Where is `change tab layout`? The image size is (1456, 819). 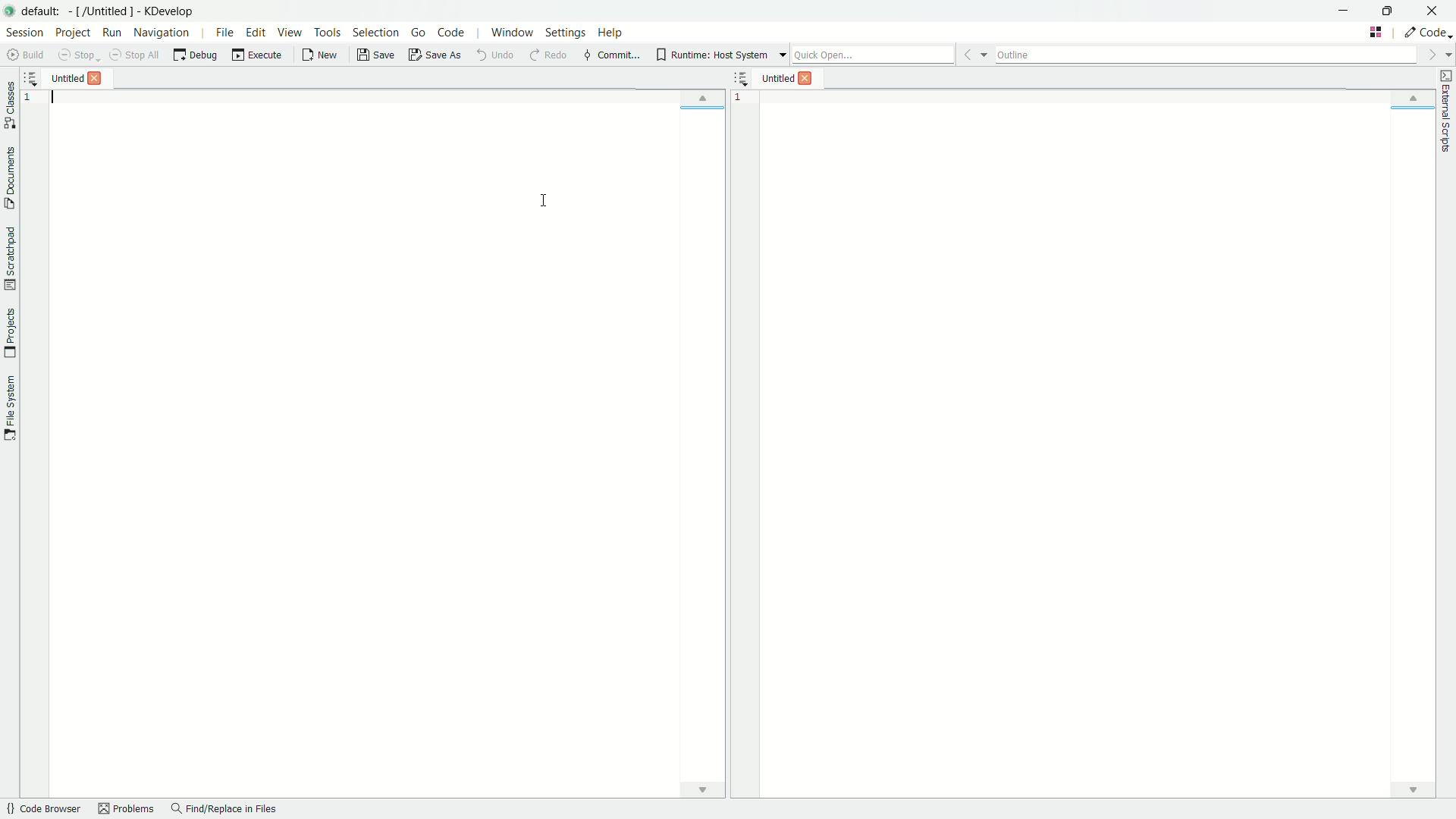 change tab layout is located at coordinates (1378, 32).